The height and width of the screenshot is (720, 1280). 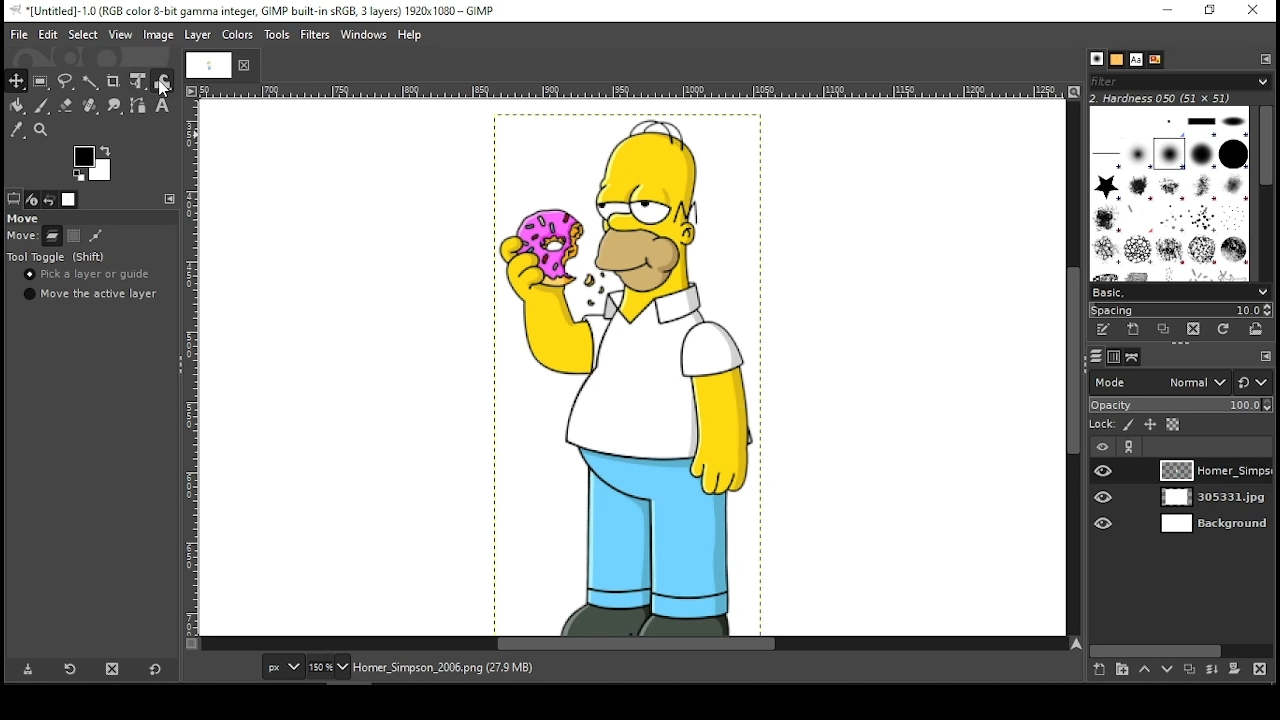 What do you see at coordinates (92, 106) in the screenshot?
I see `healing tool` at bounding box center [92, 106].